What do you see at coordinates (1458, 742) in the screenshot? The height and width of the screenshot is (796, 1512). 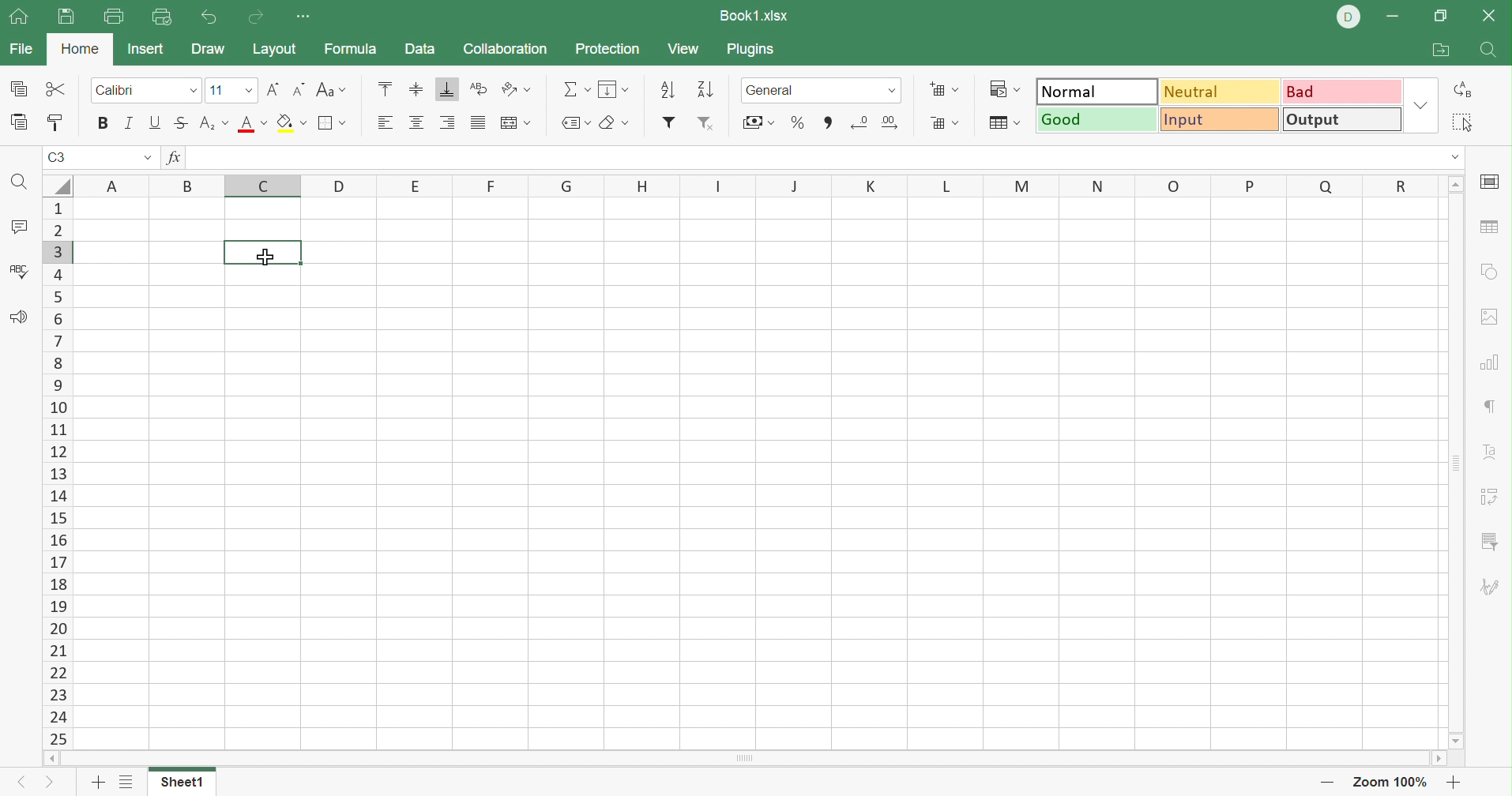 I see `Scroll down` at bounding box center [1458, 742].